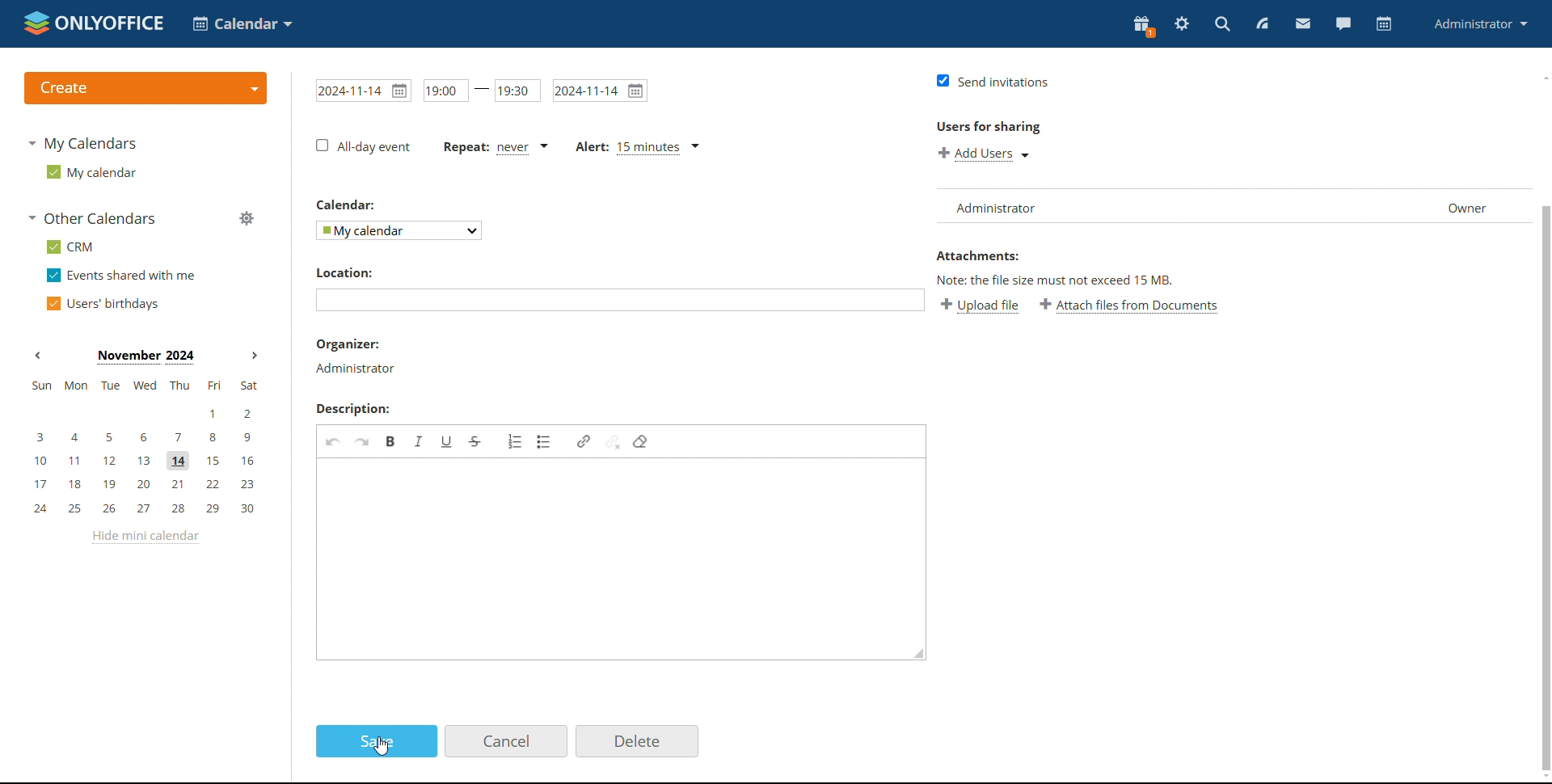  What do you see at coordinates (100, 304) in the screenshot?
I see `users' birthdays` at bounding box center [100, 304].